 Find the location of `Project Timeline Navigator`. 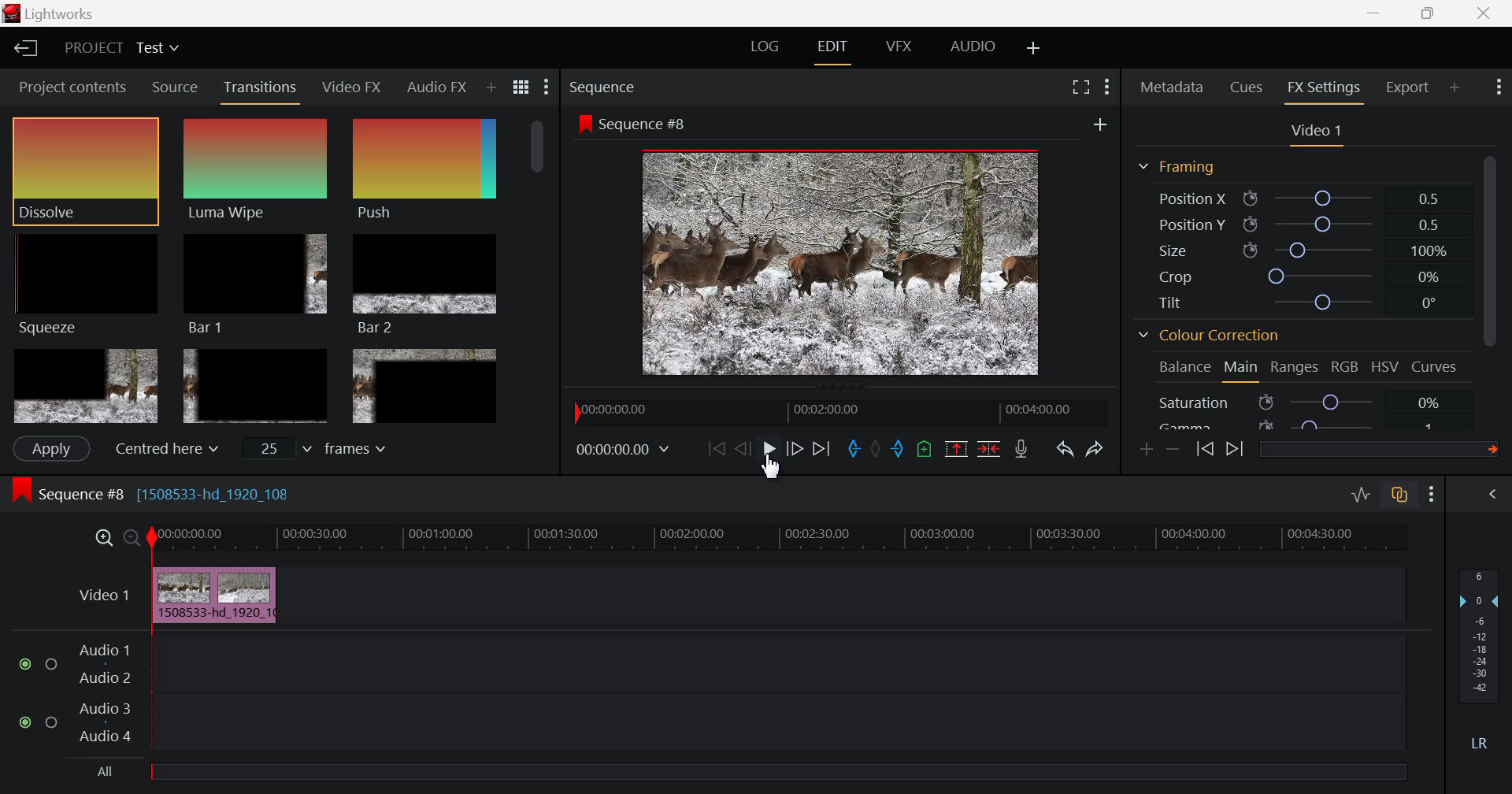

Project Timeline Navigator is located at coordinates (838, 412).